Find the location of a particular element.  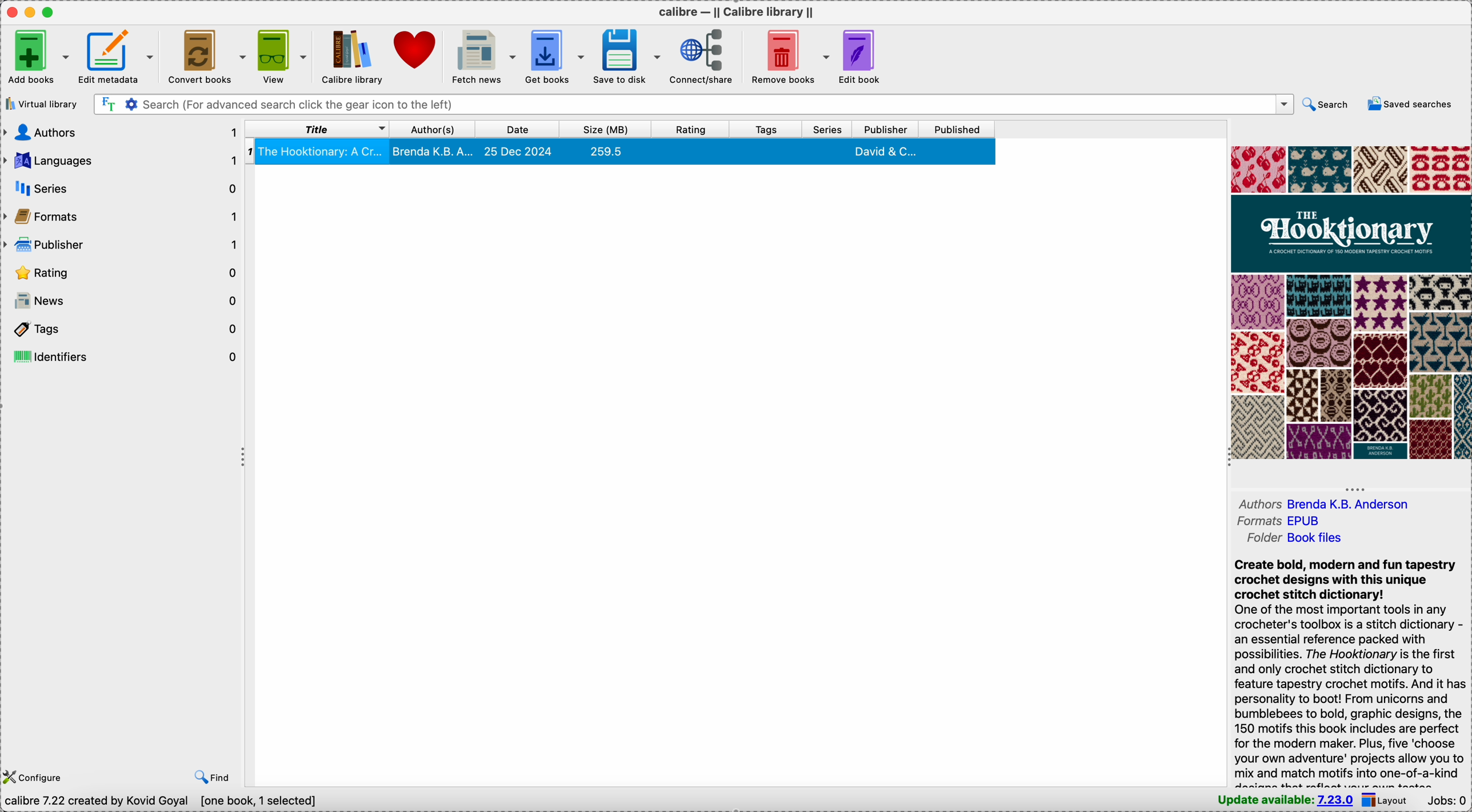

The Hooktionary book details is located at coordinates (621, 154).